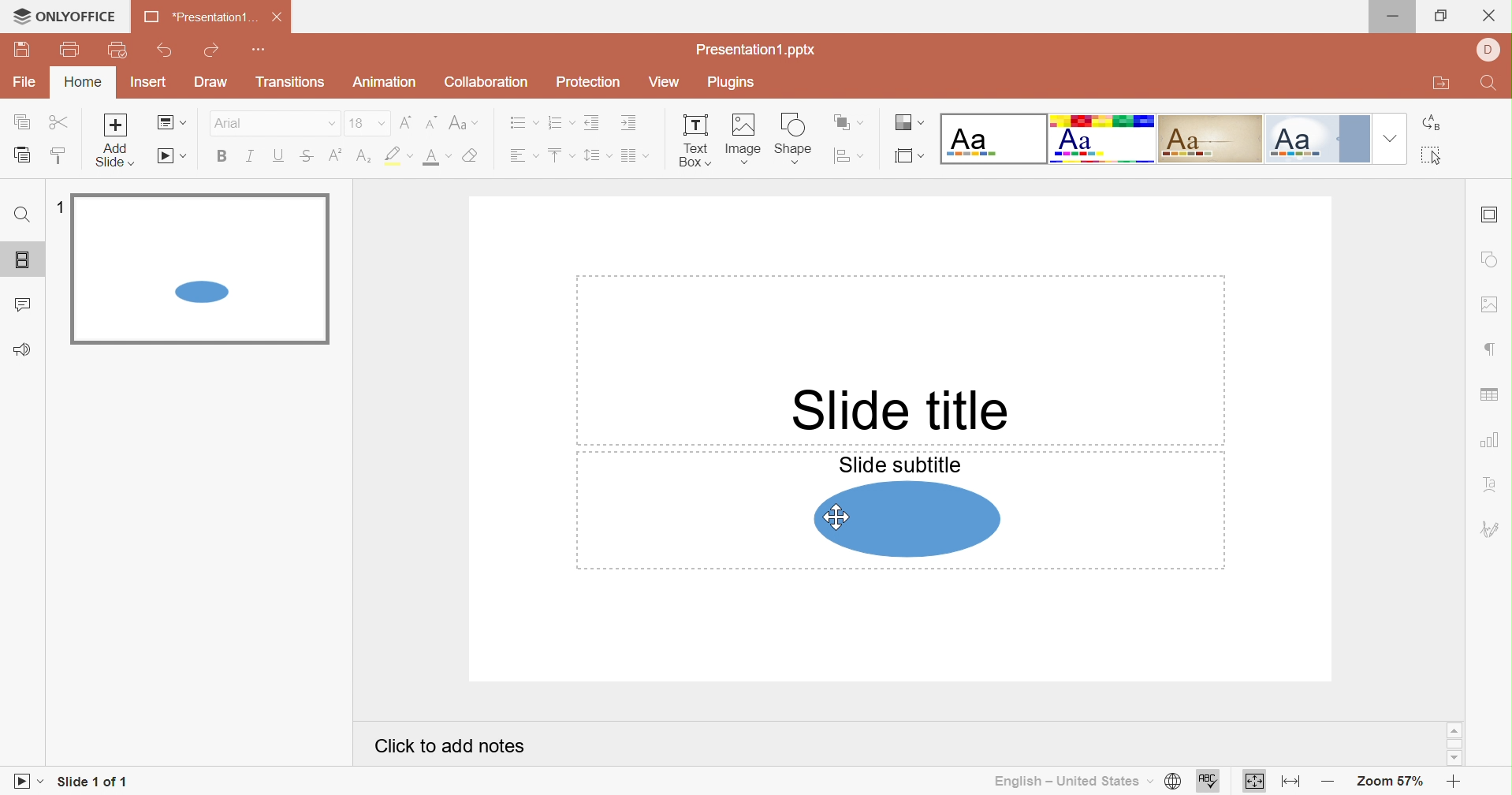 The image size is (1512, 795). What do you see at coordinates (153, 84) in the screenshot?
I see `Insert` at bounding box center [153, 84].